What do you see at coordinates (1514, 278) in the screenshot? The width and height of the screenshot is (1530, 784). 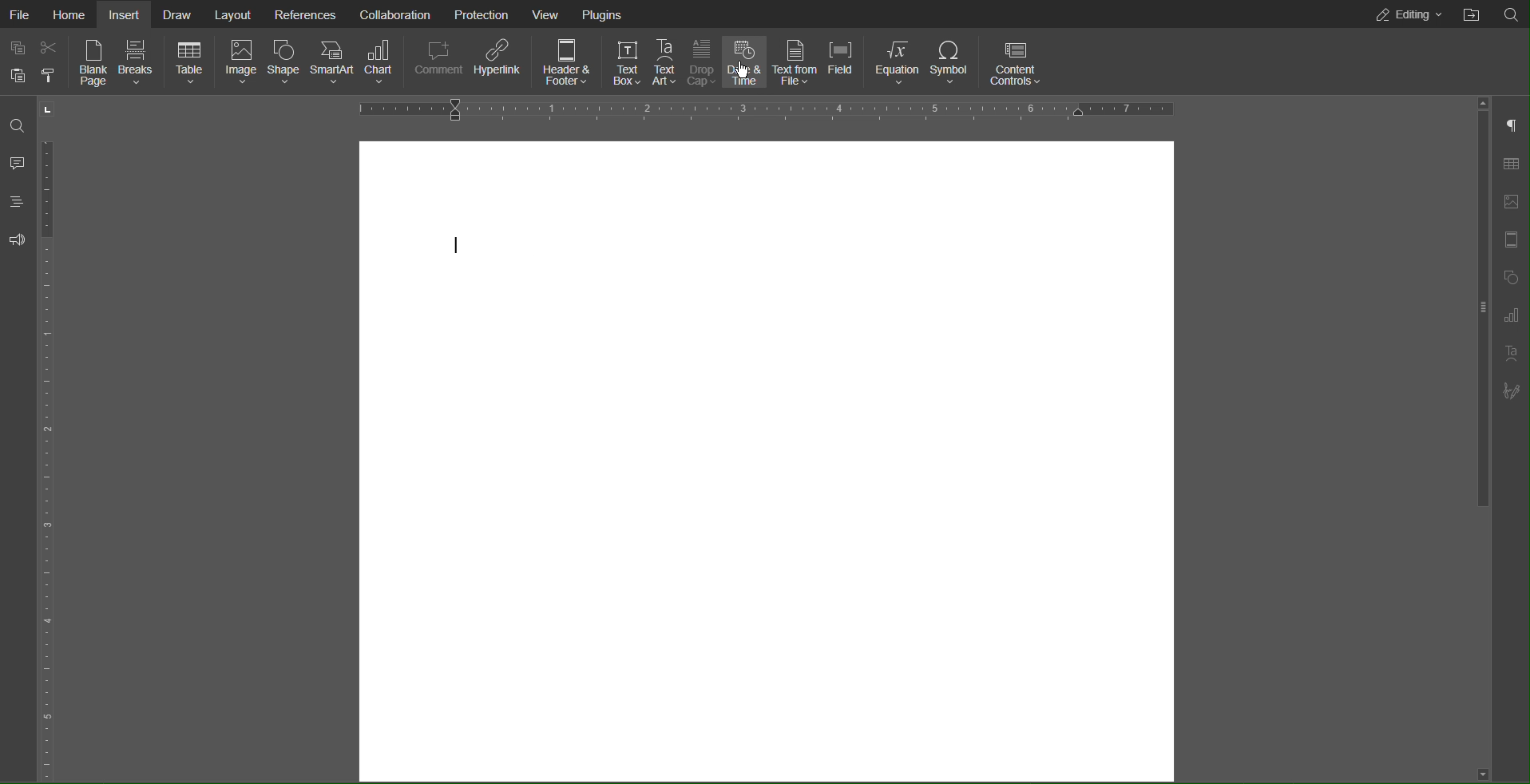 I see `Shape Settings` at bounding box center [1514, 278].